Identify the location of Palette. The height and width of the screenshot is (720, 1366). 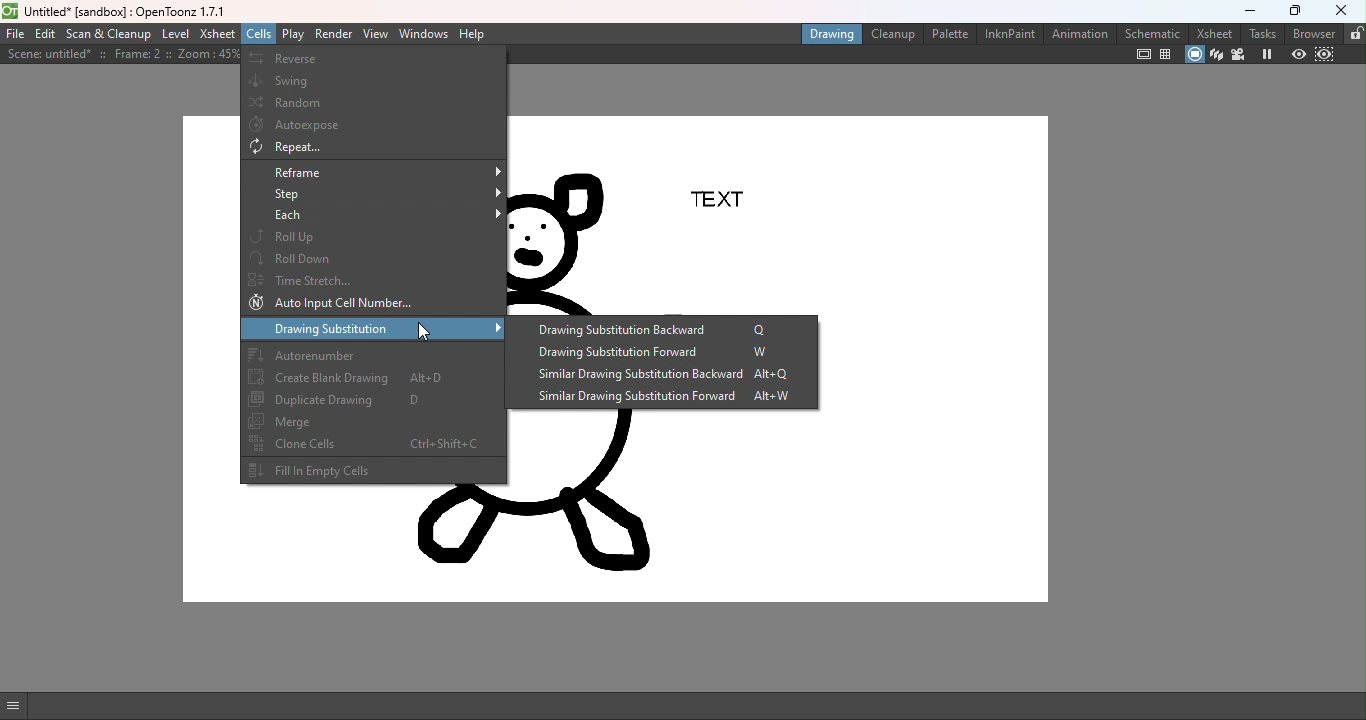
(949, 35).